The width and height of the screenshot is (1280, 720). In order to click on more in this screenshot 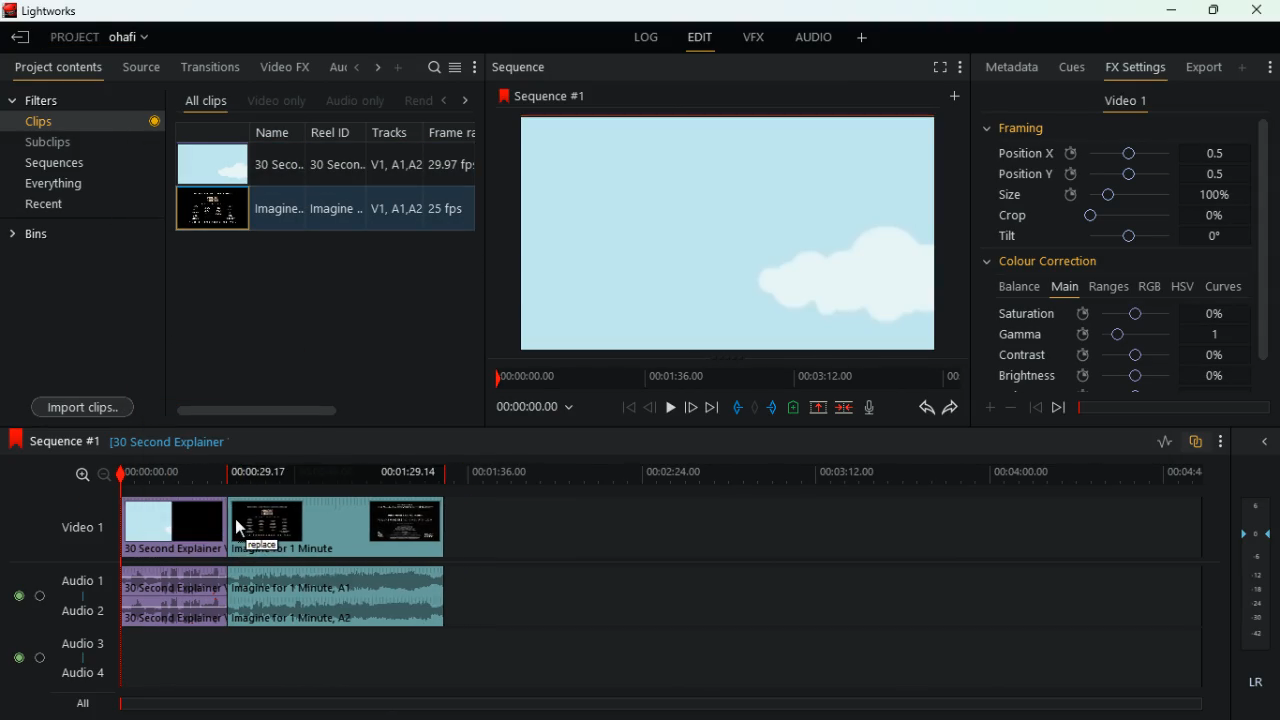, I will do `click(1244, 67)`.